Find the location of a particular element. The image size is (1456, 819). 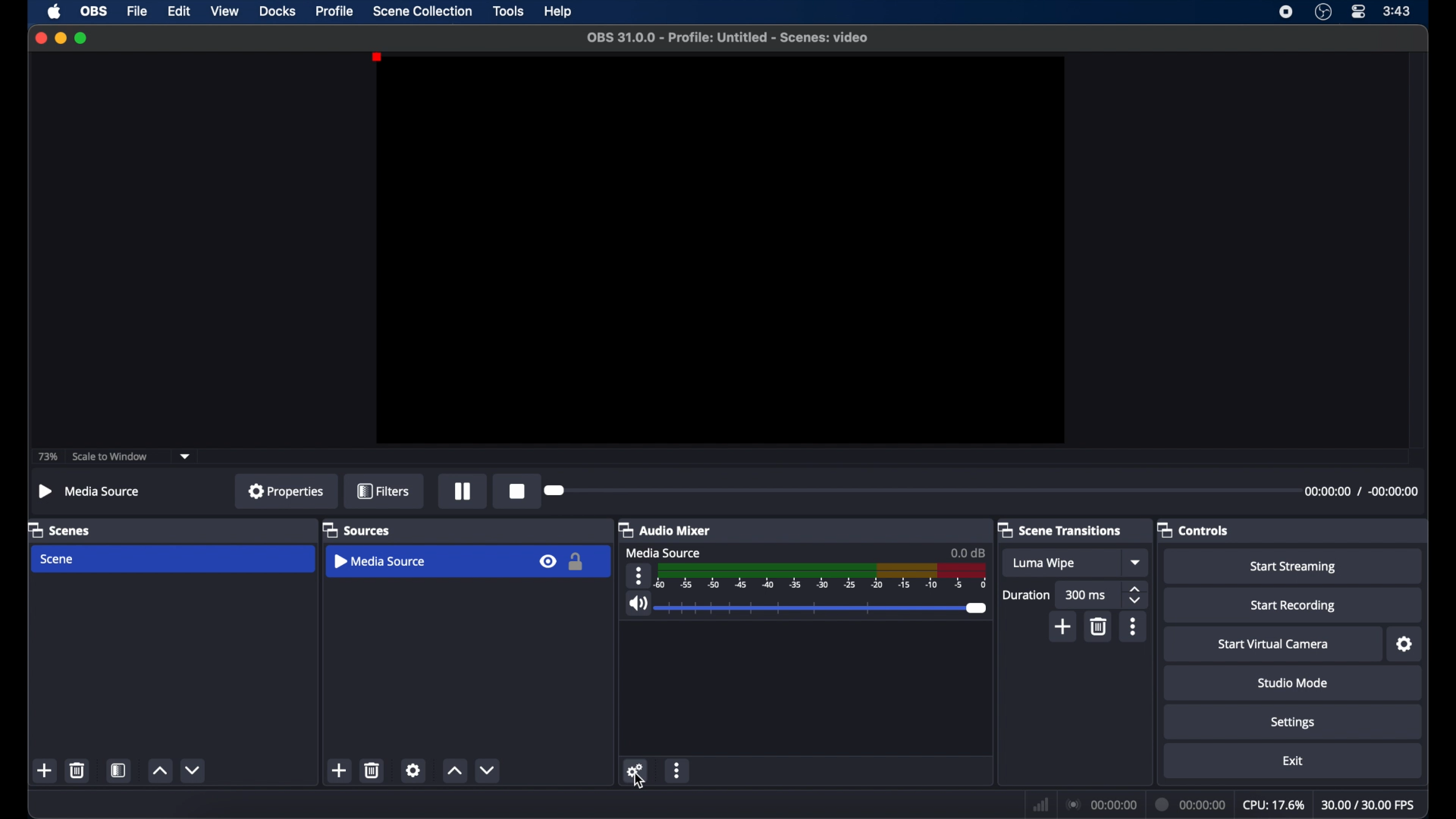

settings is located at coordinates (1294, 723).